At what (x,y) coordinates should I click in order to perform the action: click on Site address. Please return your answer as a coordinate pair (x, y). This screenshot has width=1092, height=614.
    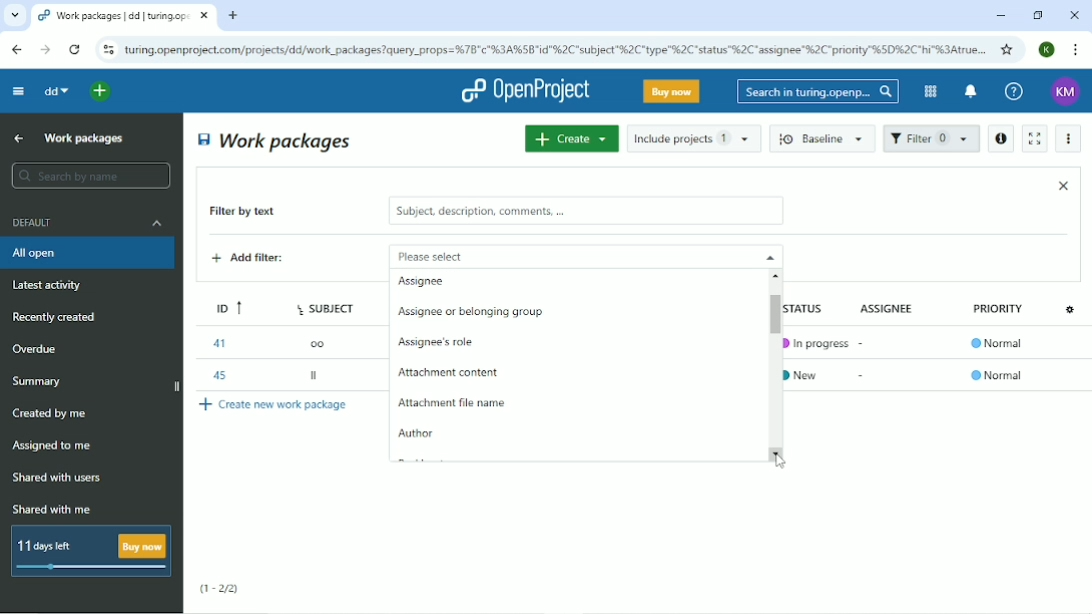
    Looking at the image, I should click on (555, 48).